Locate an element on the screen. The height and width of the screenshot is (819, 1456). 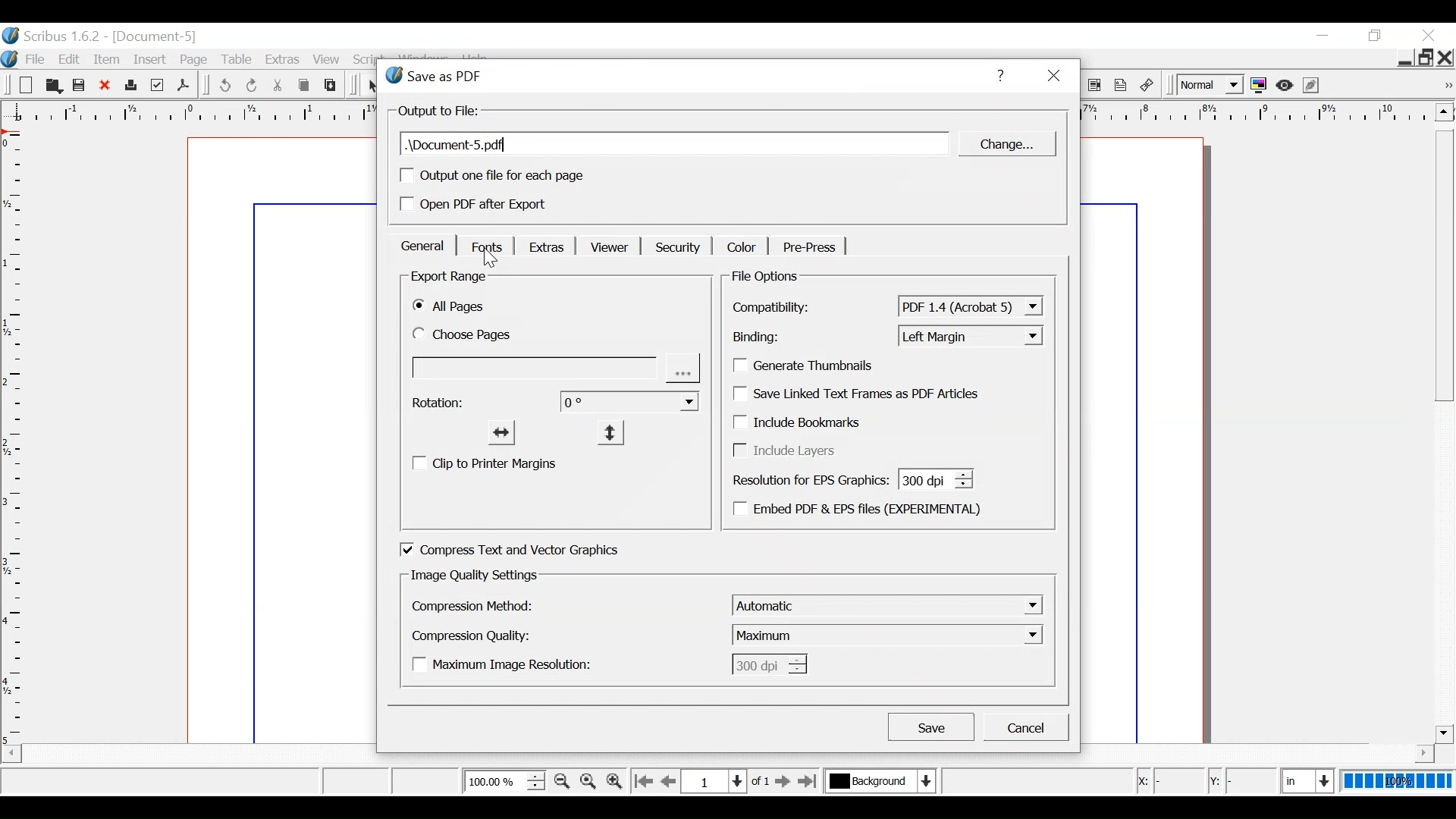
View is located at coordinates (327, 61).